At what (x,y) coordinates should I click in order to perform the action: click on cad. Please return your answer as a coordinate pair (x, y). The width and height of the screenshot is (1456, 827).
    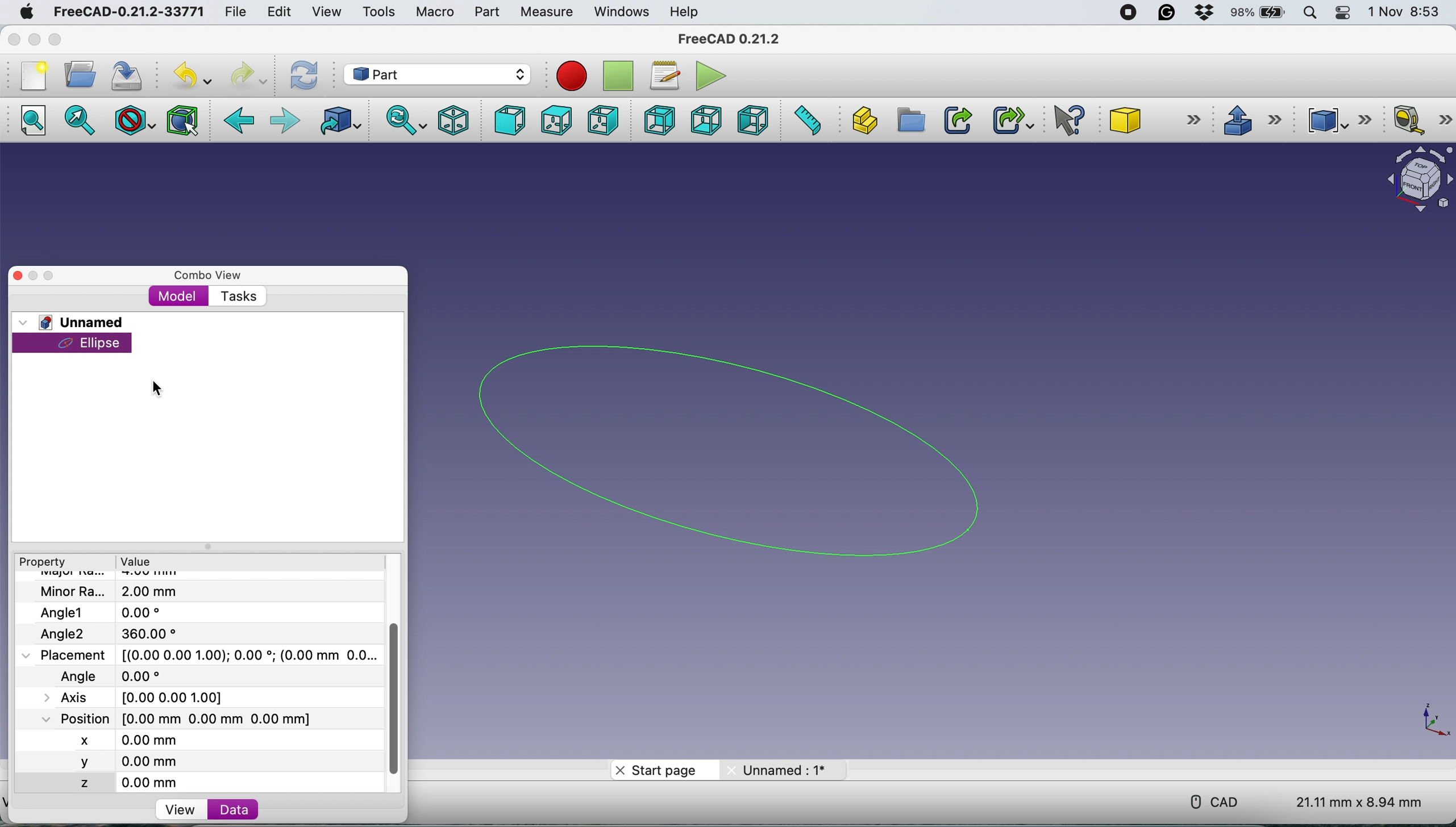
    Looking at the image, I should click on (1217, 800).